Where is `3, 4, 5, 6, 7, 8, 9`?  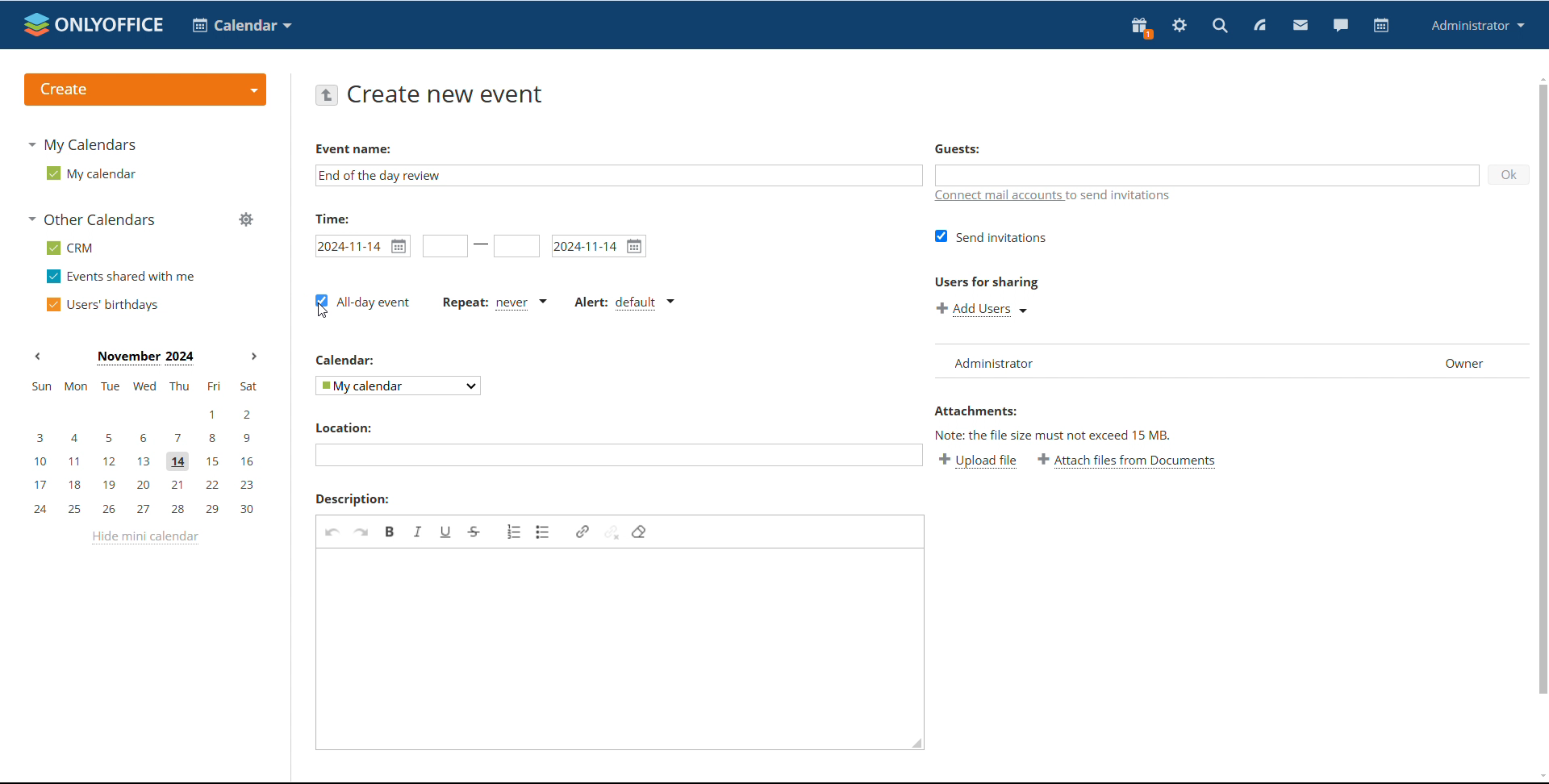 3, 4, 5, 6, 7, 8, 9 is located at coordinates (144, 436).